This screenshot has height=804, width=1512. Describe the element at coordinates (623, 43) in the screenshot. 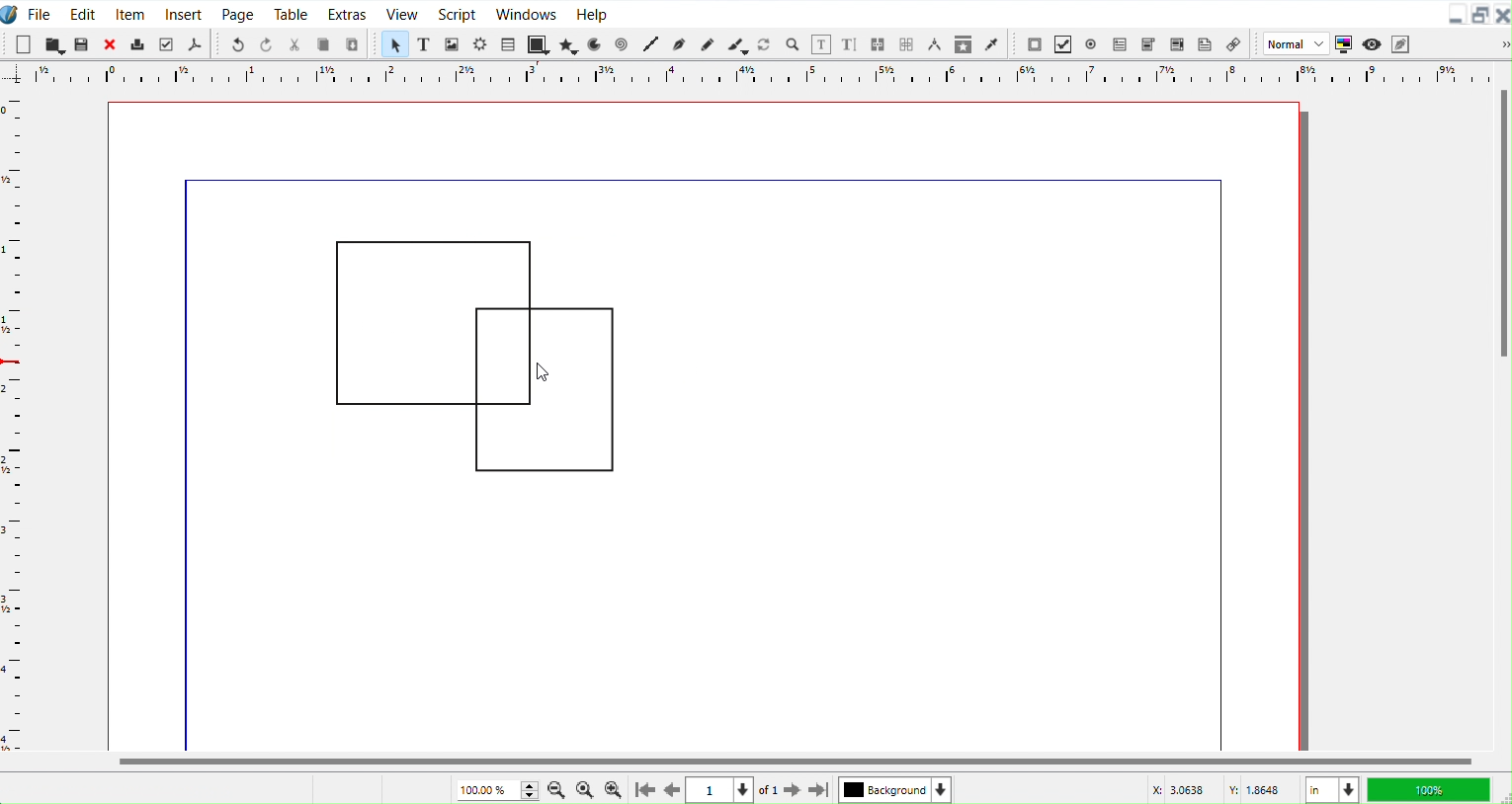

I see `Spiral` at that location.